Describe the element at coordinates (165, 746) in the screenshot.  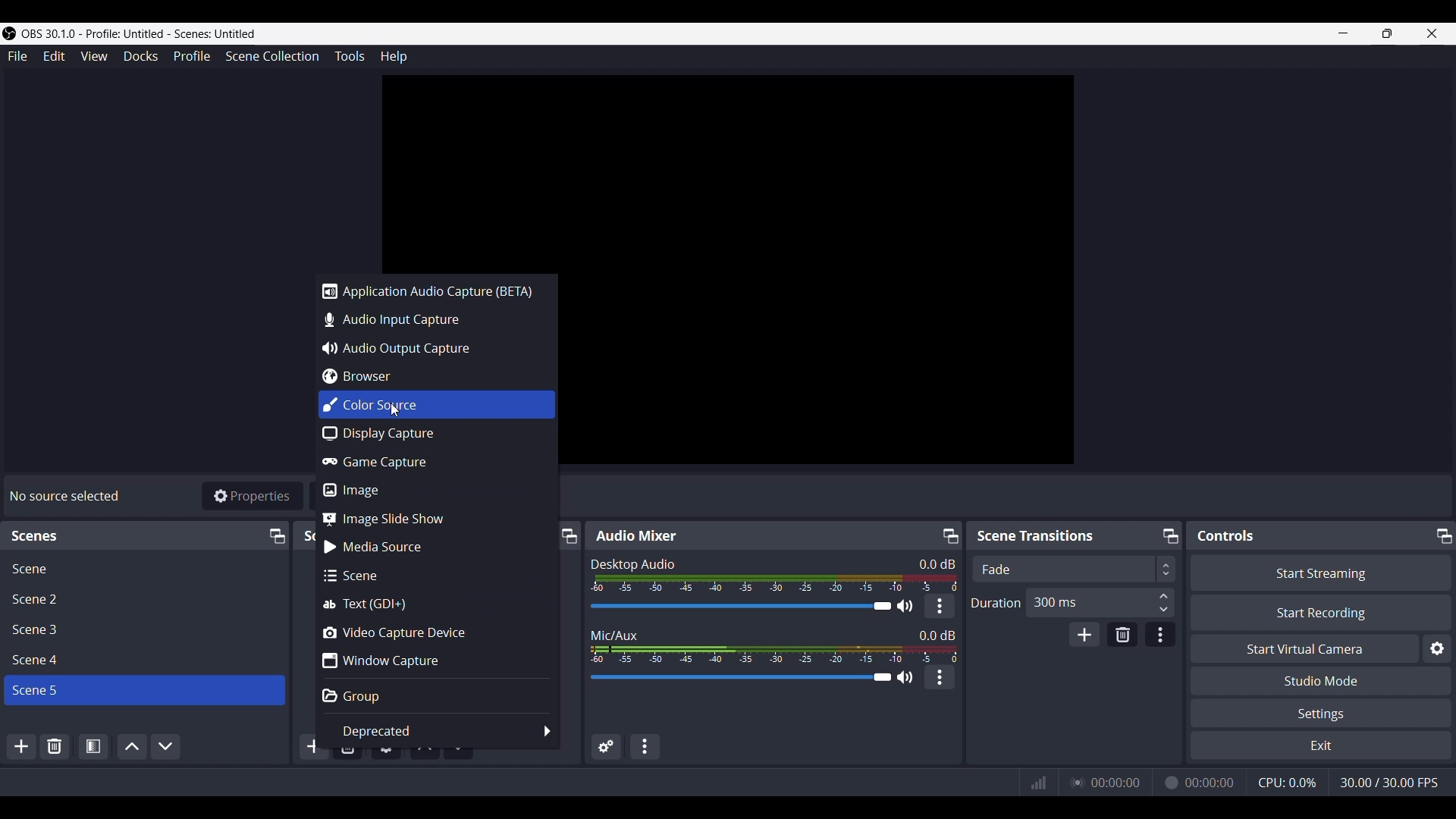
I see `Move Scene Down` at that location.